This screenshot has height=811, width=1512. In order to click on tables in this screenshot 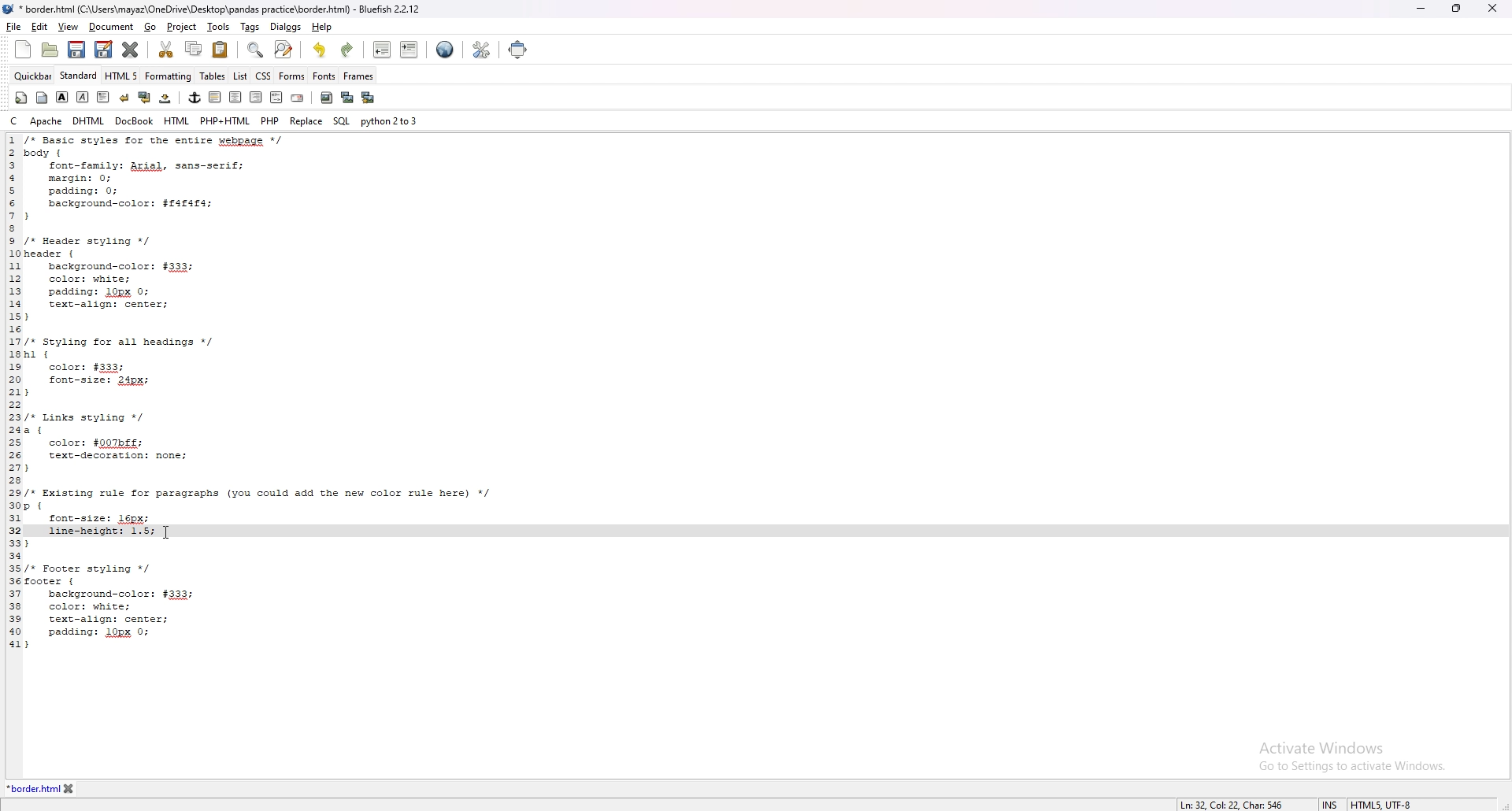, I will do `click(213, 76)`.